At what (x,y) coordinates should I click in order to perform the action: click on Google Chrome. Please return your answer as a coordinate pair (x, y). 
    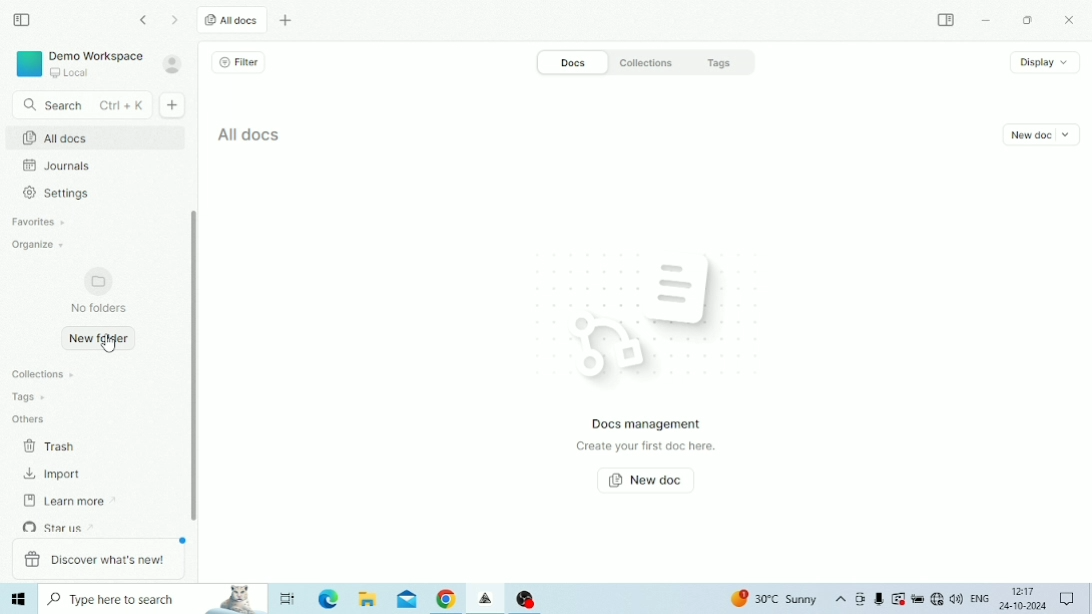
    Looking at the image, I should click on (446, 600).